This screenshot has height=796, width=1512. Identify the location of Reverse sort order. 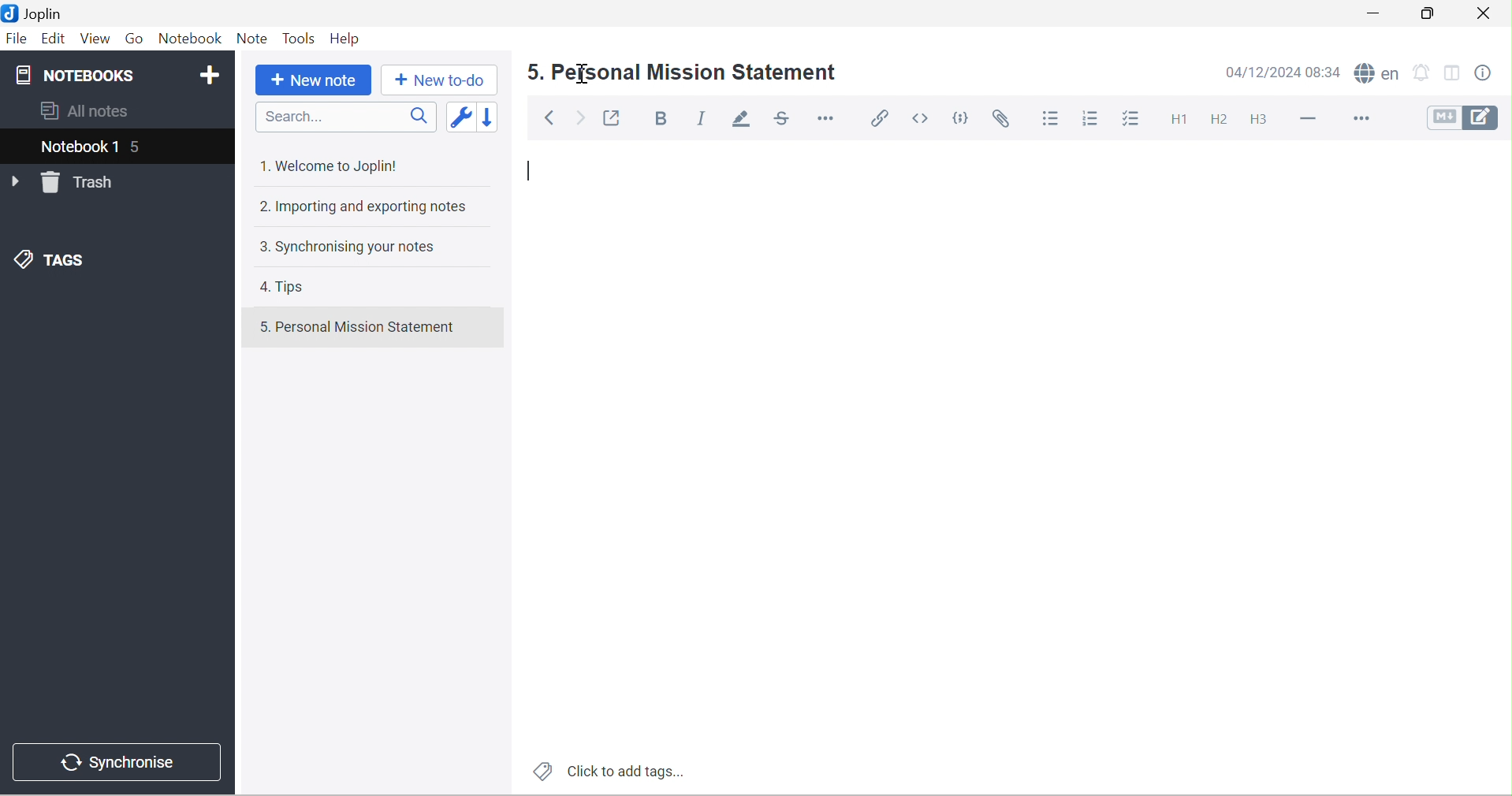
(488, 119).